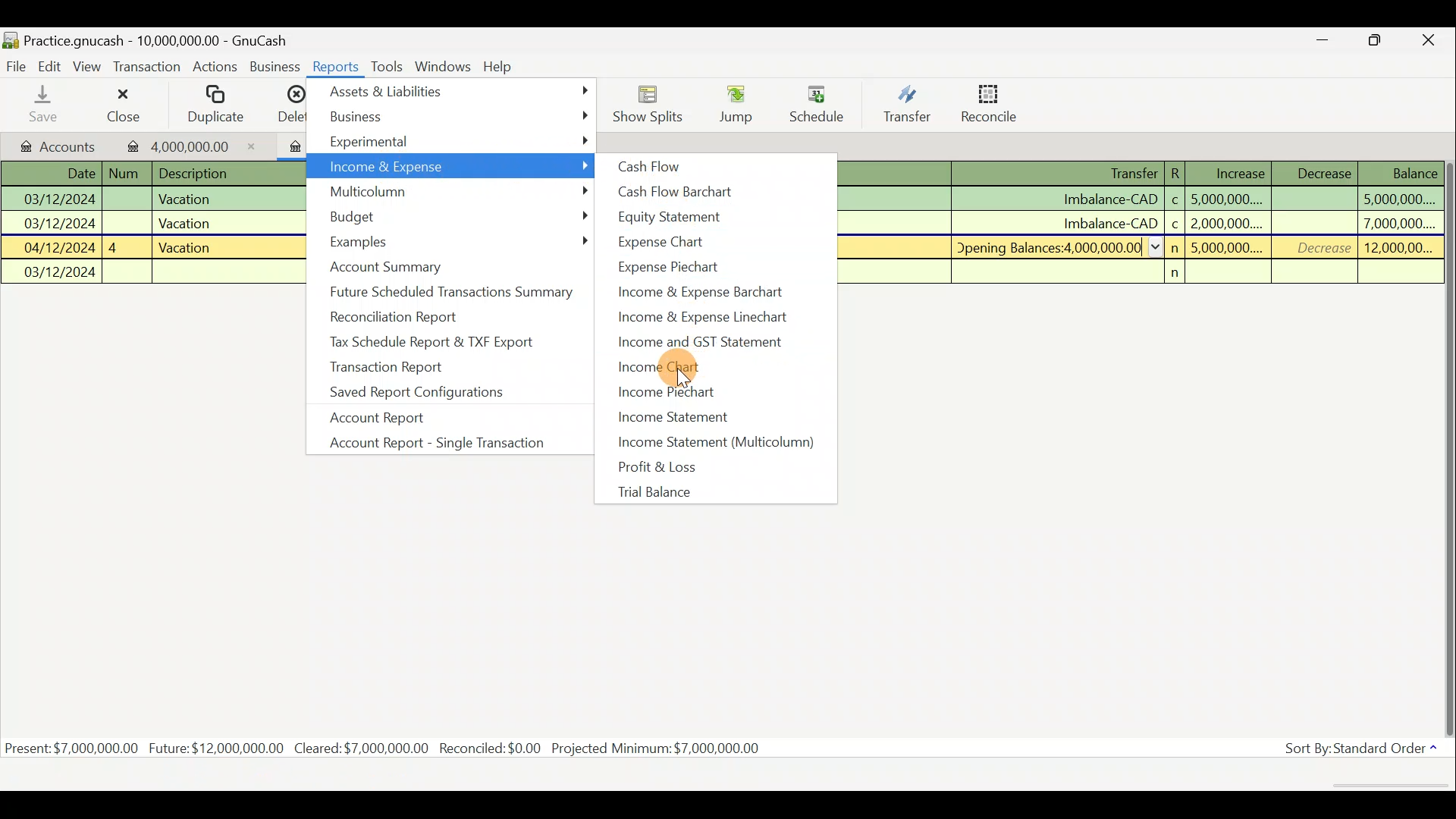 The width and height of the screenshot is (1456, 819). What do you see at coordinates (115, 247) in the screenshot?
I see `4` at bounding box center [115, 247].